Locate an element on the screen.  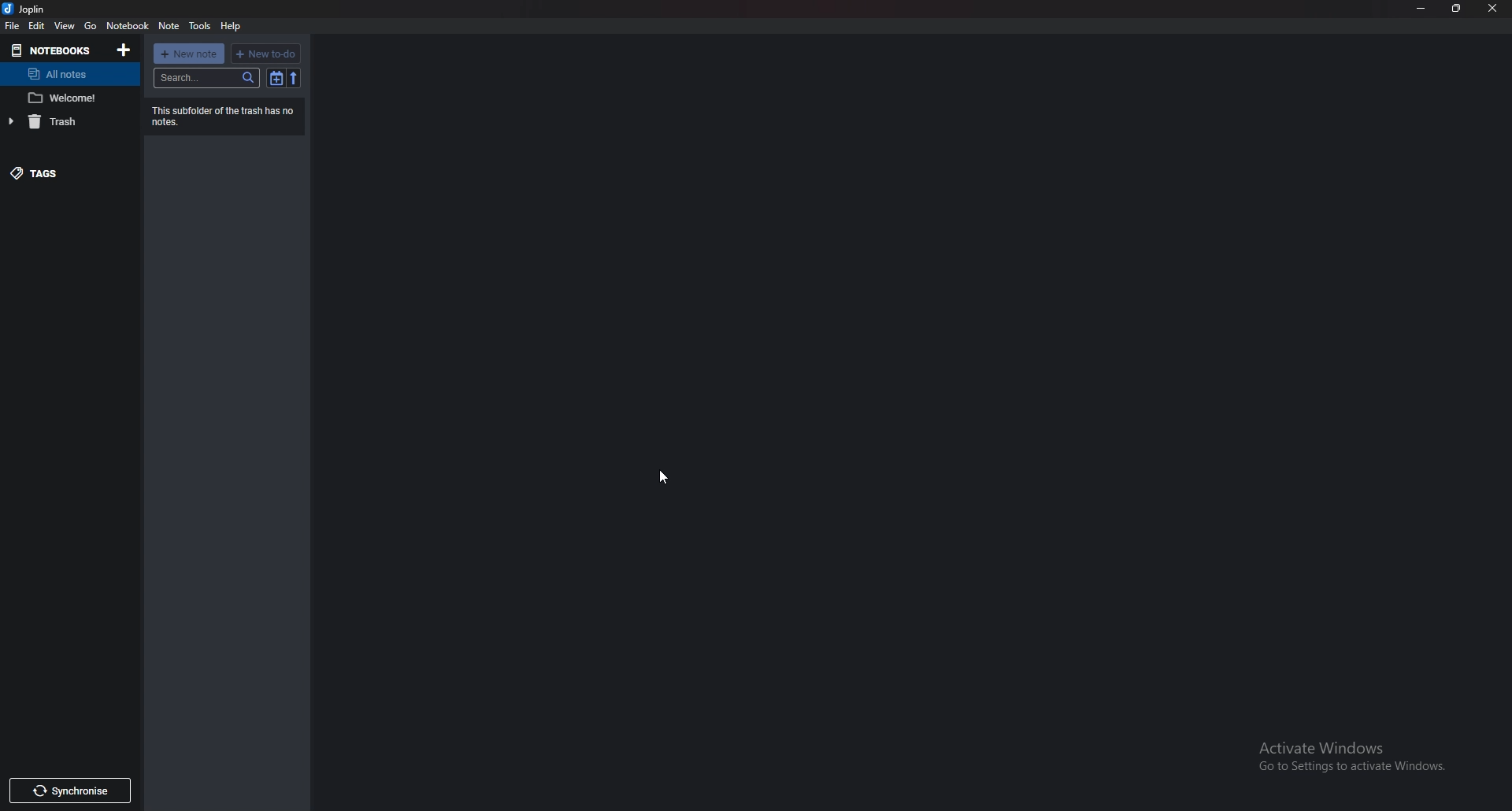
notebook is located at coordinates (128, 25).